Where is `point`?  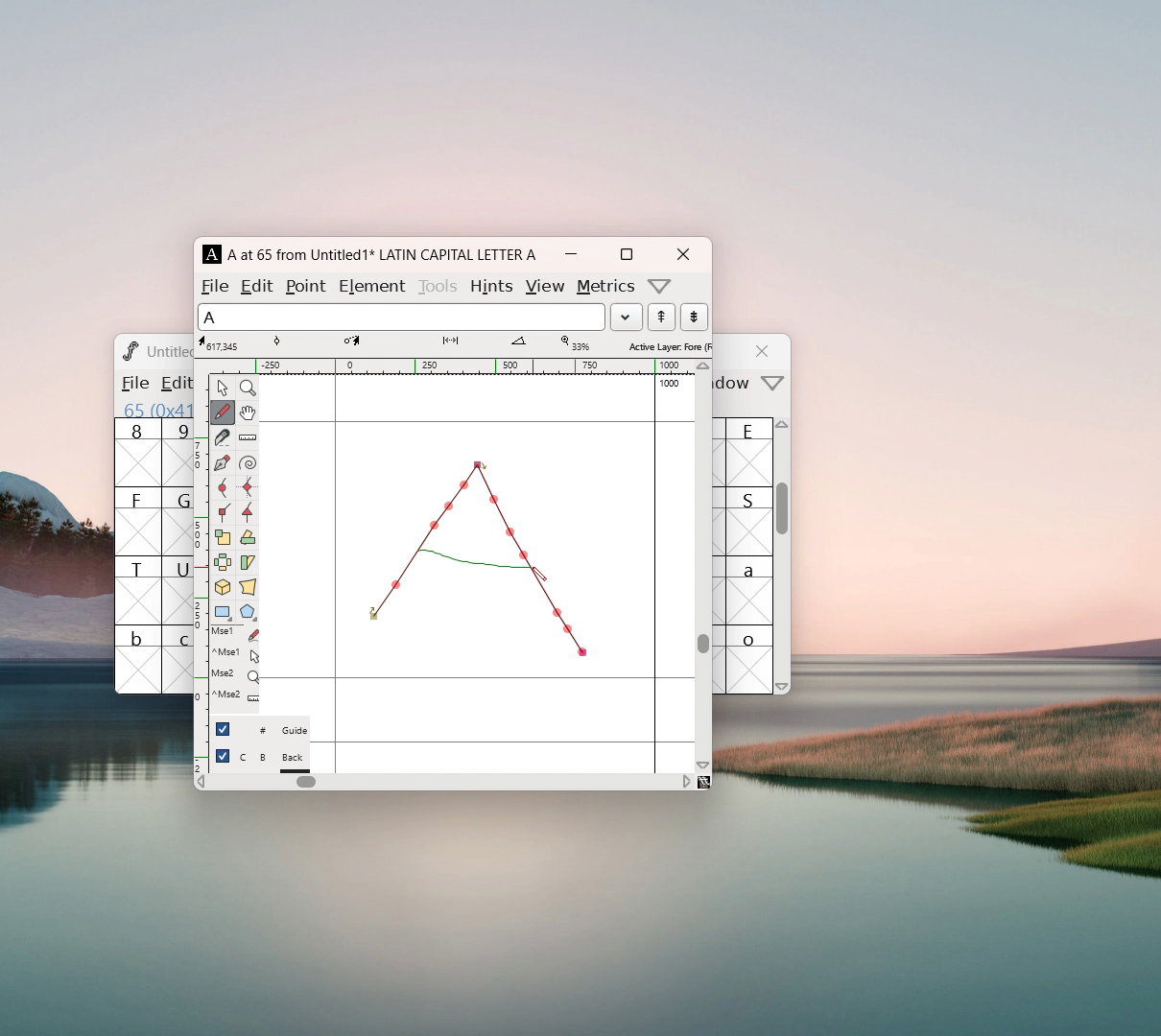
point is located at coordinates (308, 286).